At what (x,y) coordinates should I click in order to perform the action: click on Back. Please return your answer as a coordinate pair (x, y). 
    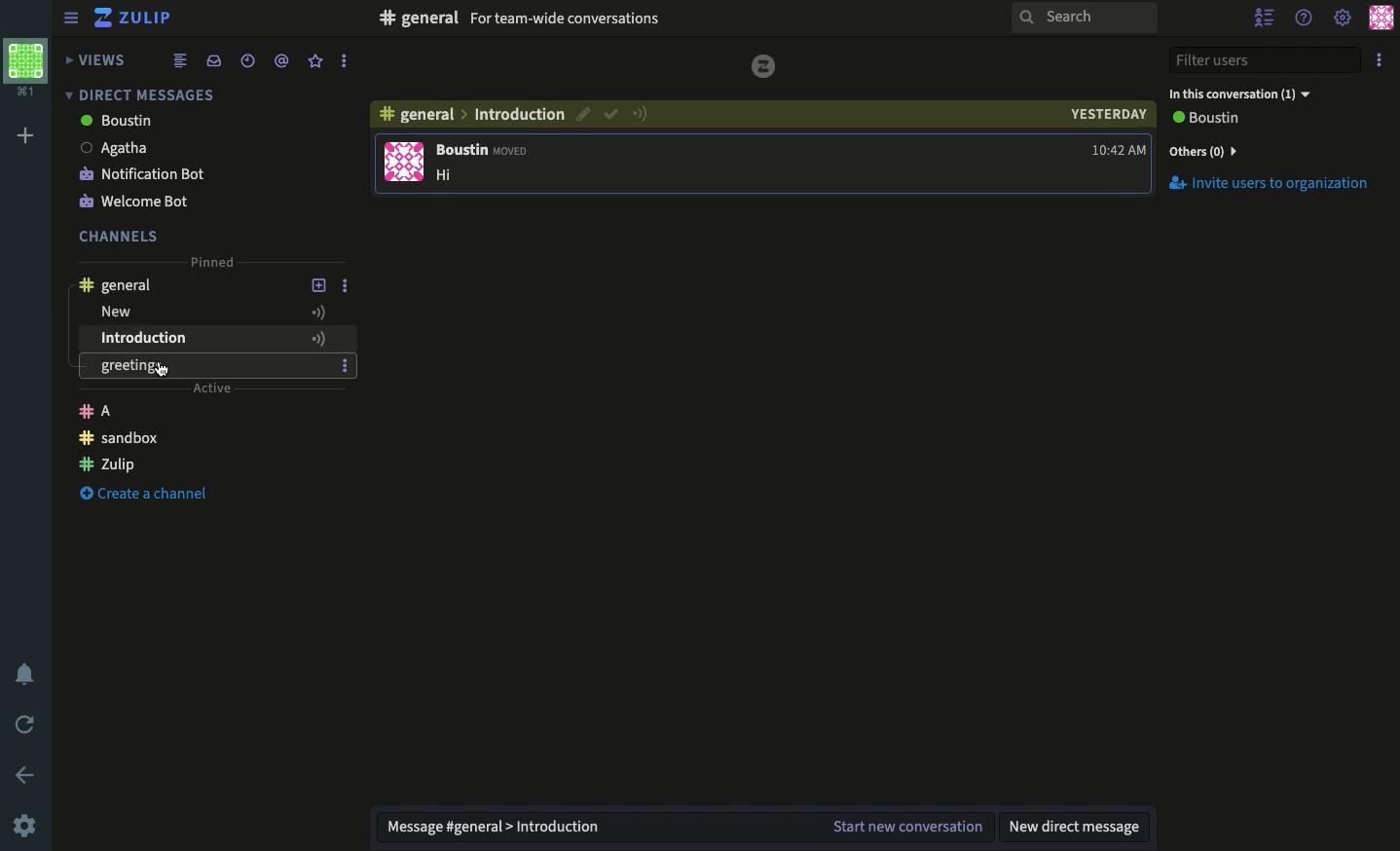
    Looking at the image, I should click on (27, 775).